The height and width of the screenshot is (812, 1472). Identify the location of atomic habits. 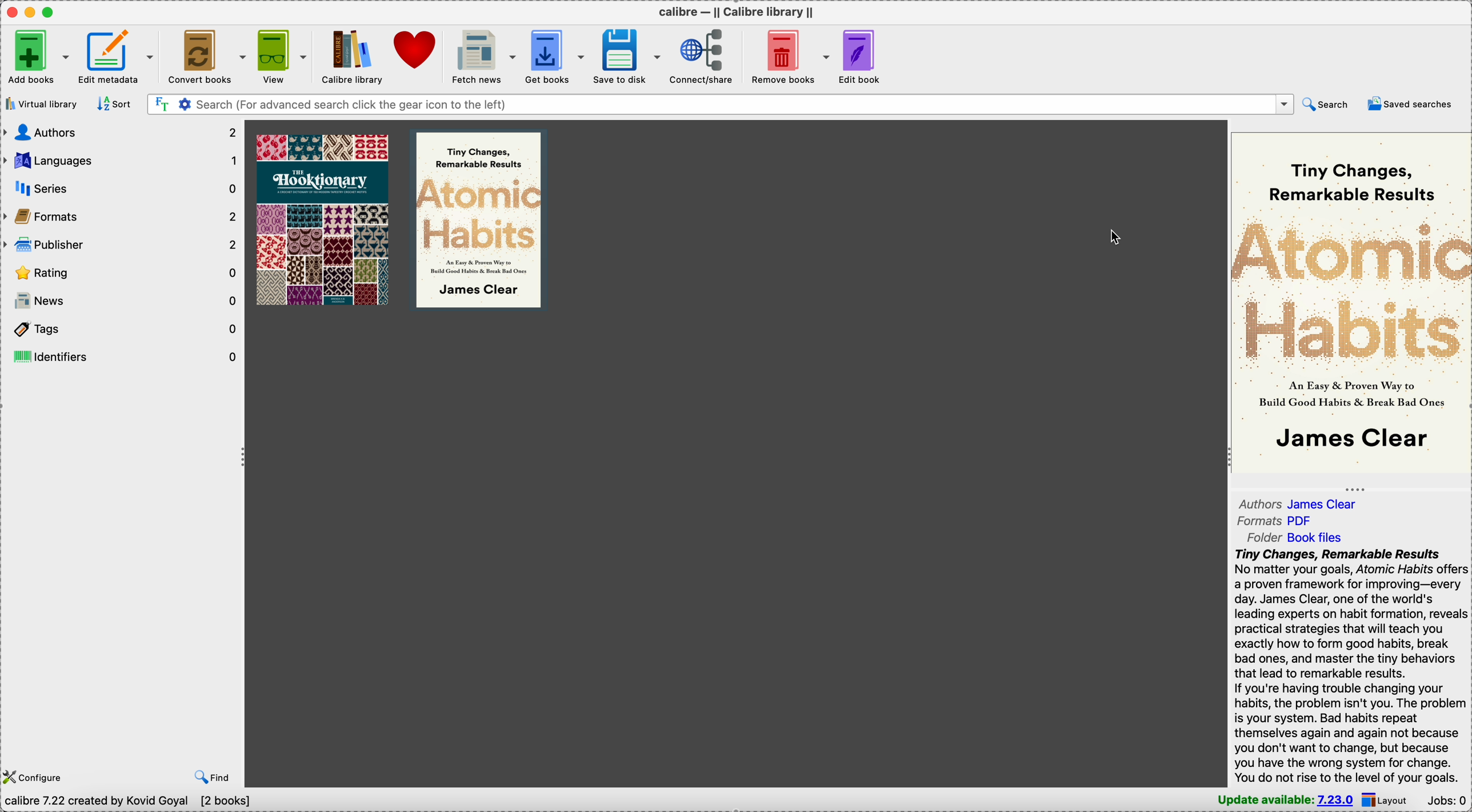
(1351, 291).